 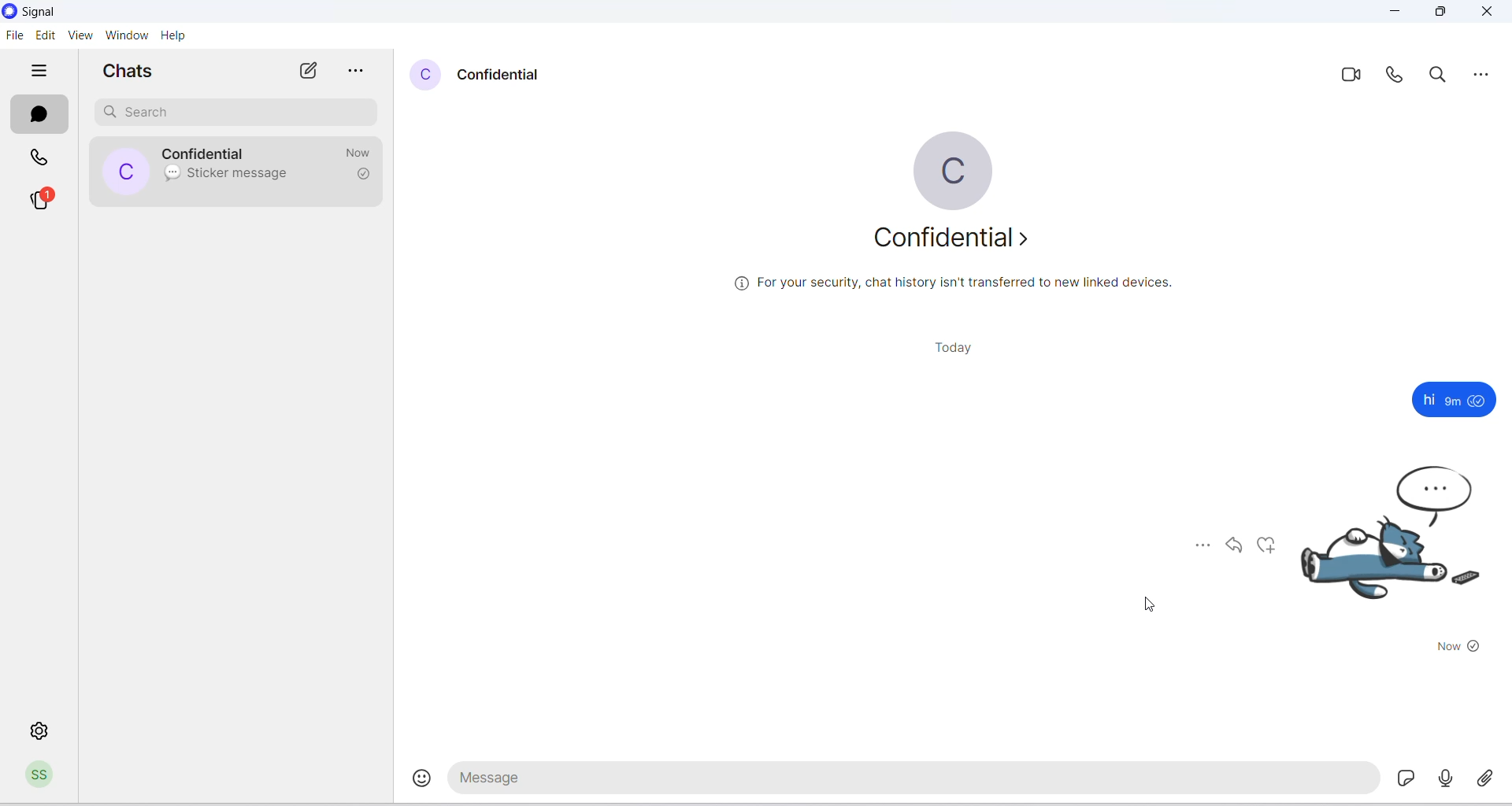 I want to click on settings, so click(x=42, y=730).